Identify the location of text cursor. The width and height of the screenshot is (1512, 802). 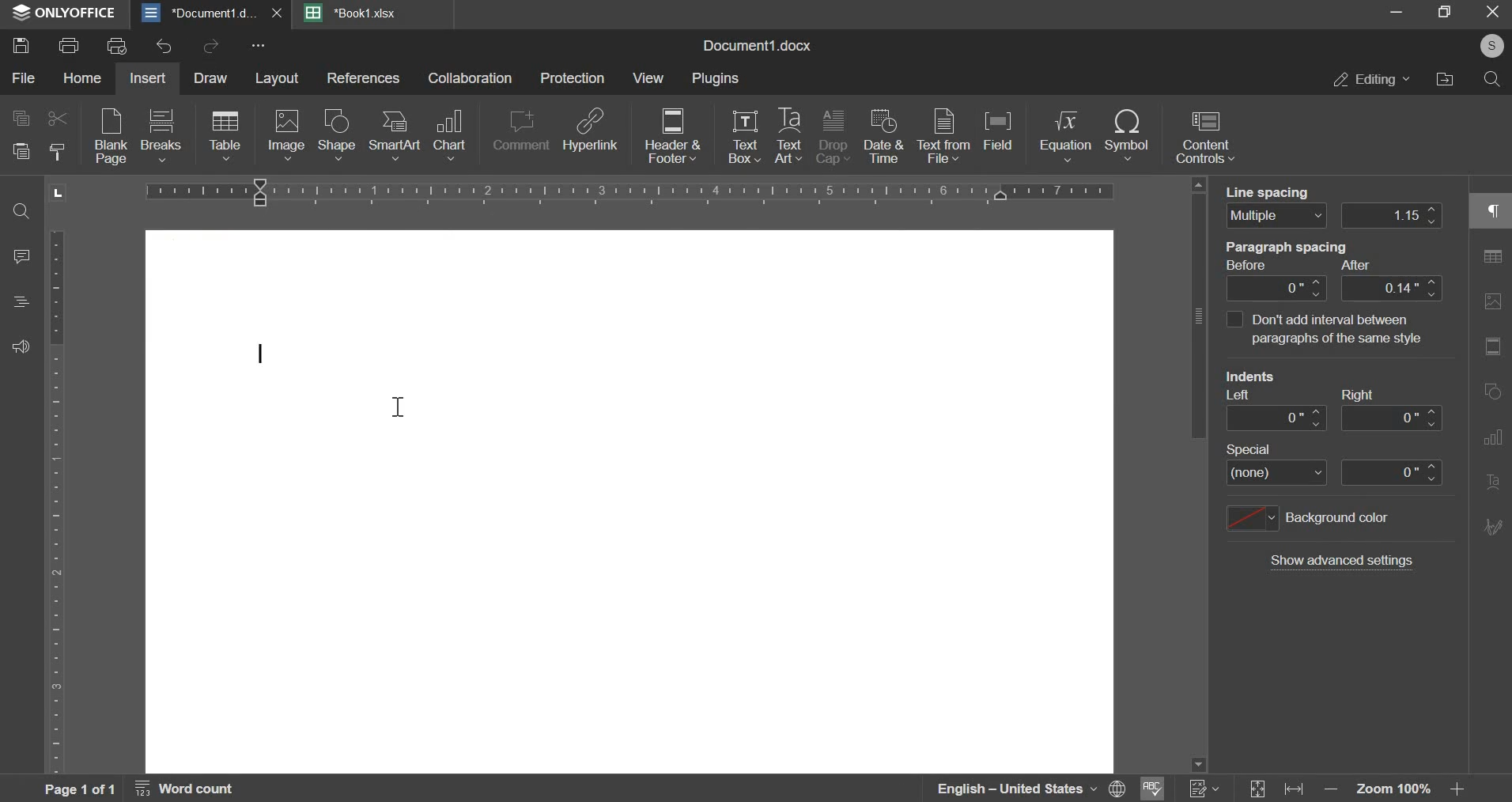
(399, 403).